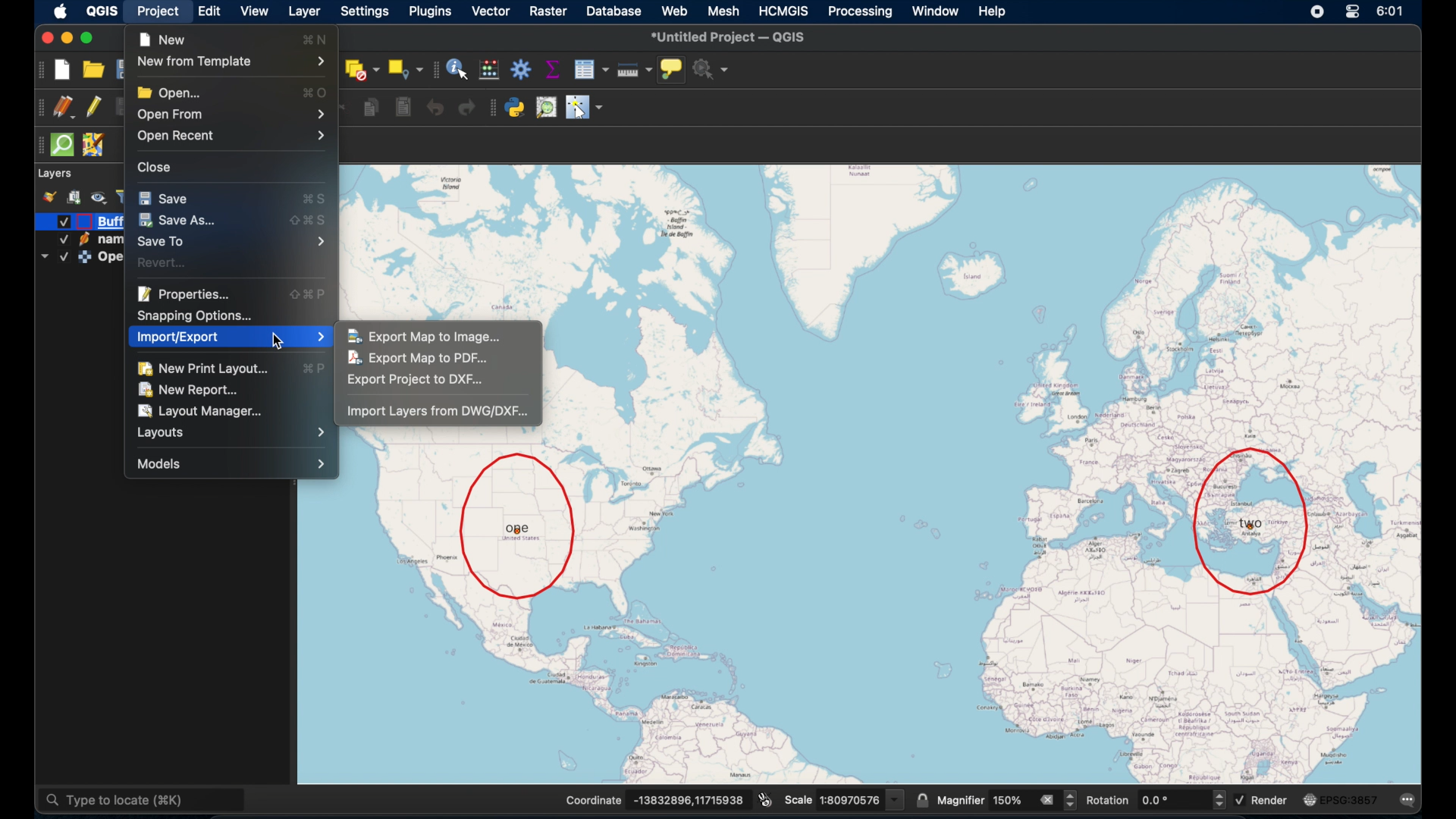 Image resolution: width=1456 pixels, height=819 pixels. I want to click on Checked checkbox, so click(63, 257).